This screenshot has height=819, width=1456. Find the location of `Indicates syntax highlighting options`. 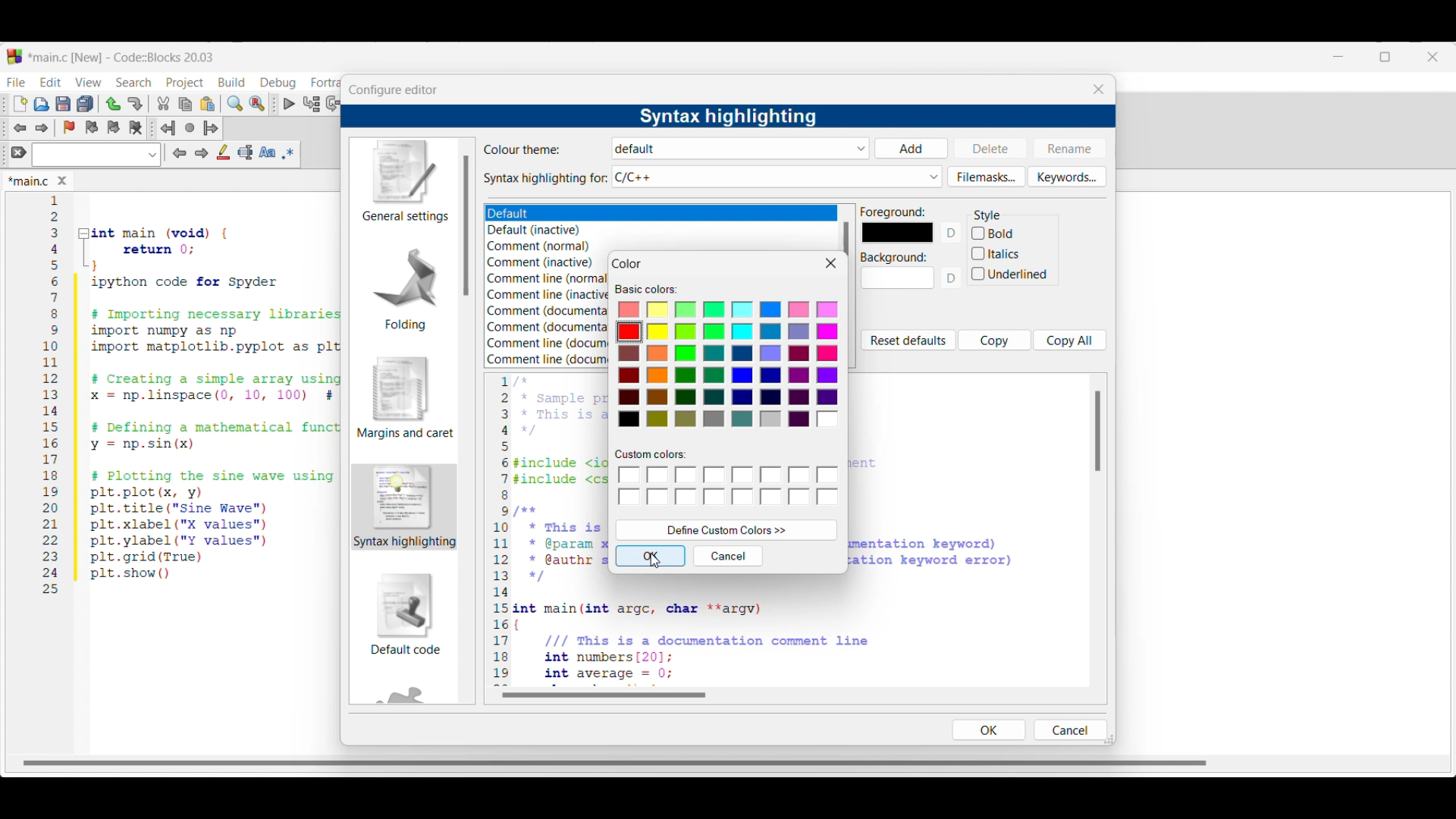

Indicates syntax highlighting options is located at coordinates (546, 179).